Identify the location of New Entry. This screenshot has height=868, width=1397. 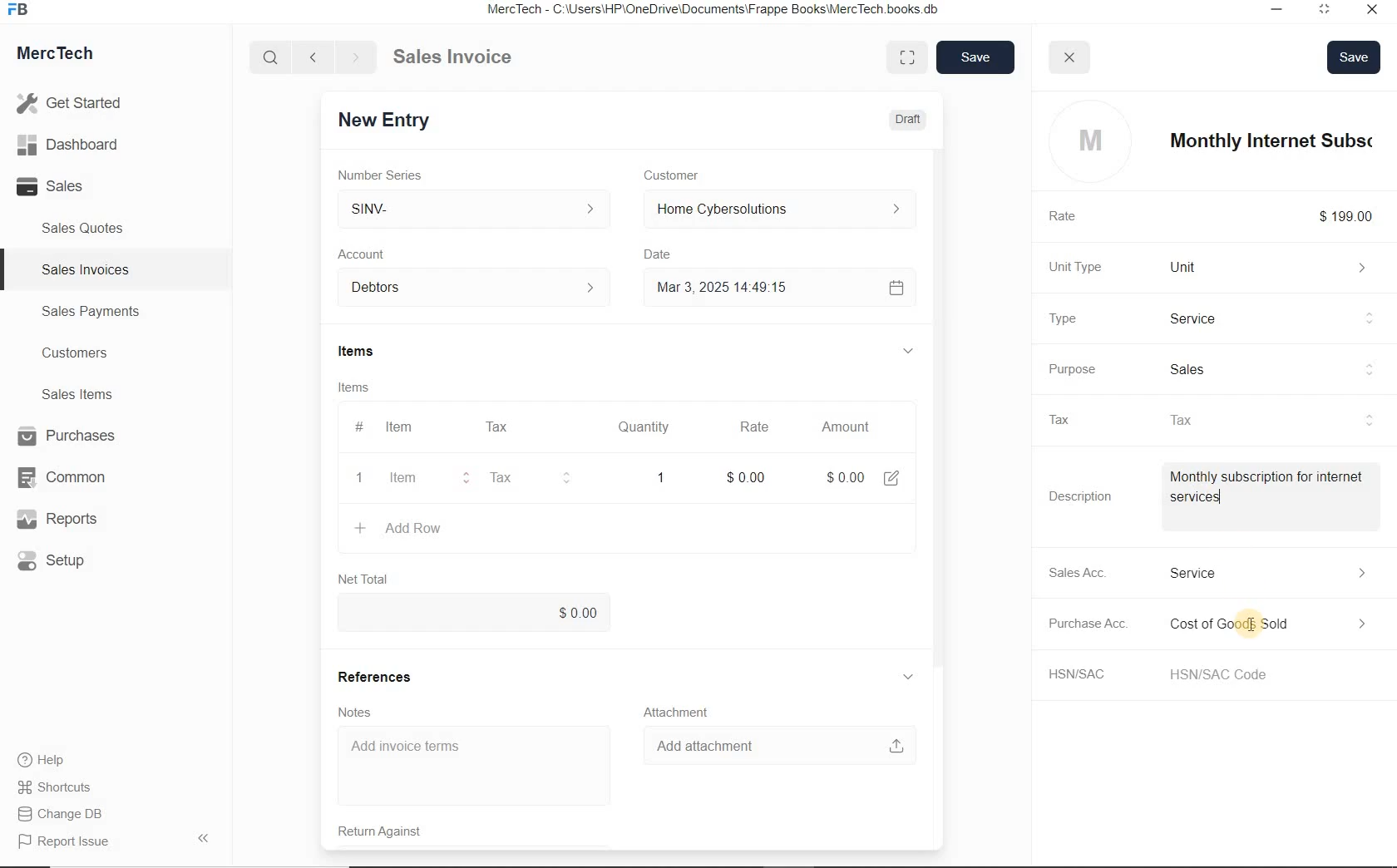
(389, 119).